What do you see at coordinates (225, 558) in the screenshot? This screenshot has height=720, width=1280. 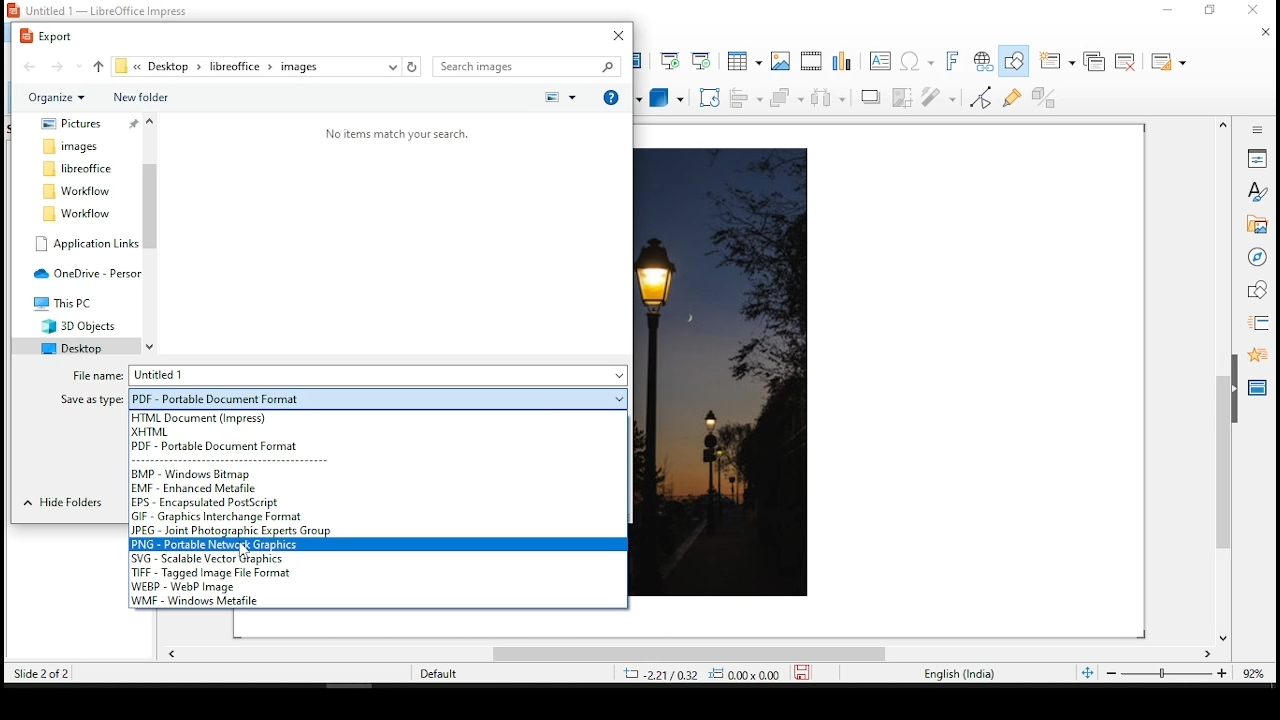 I see `svg` at bounding box center [225, 558].